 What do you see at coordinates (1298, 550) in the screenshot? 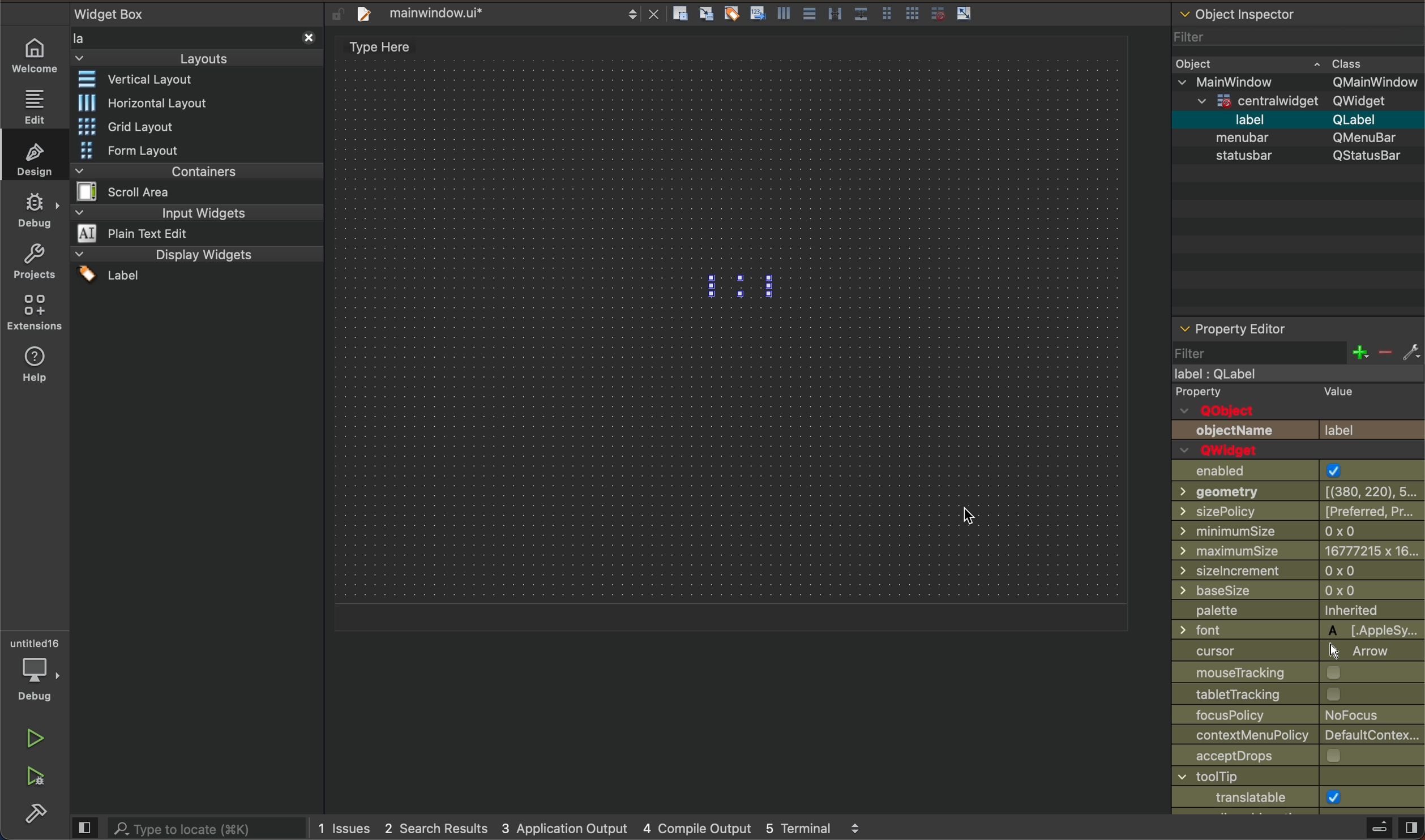
I see `min size` at bounding box center [1298, 550].